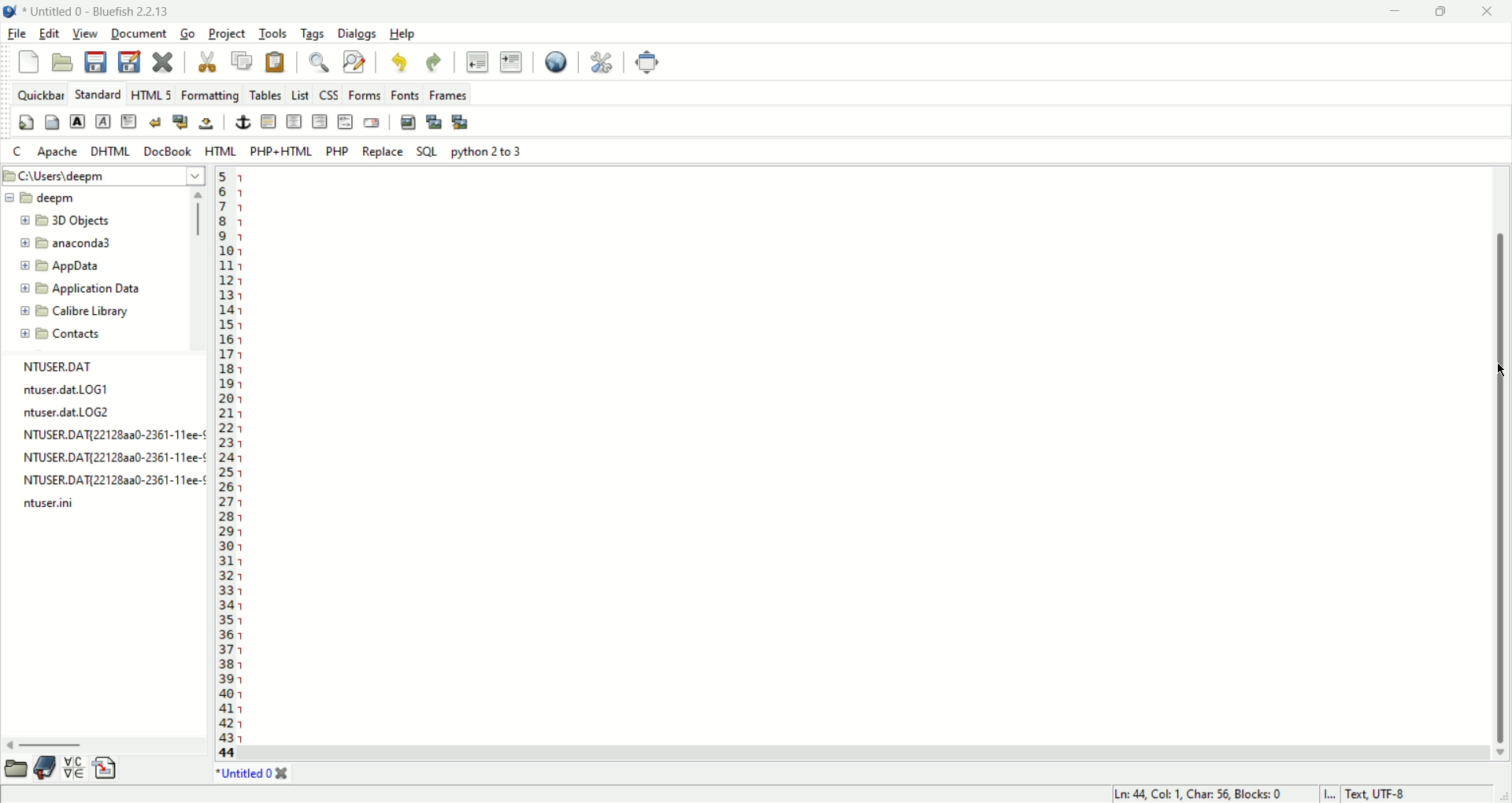  Describe the element at coordinates (150, 95) in the screenshot. I see `HTML5` at that location.